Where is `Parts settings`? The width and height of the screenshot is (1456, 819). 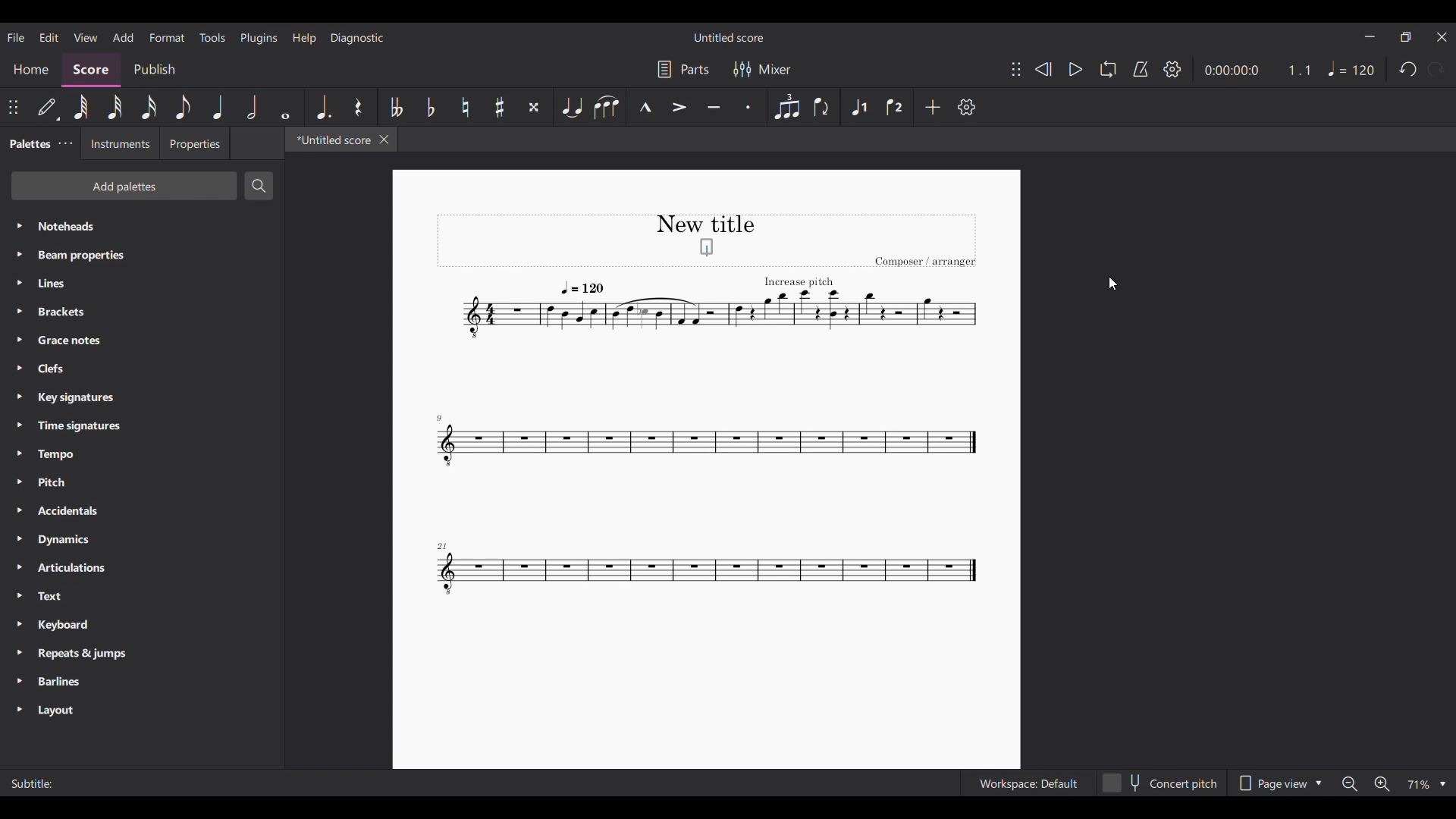 Parts settings is located at coordinates (684, 69).